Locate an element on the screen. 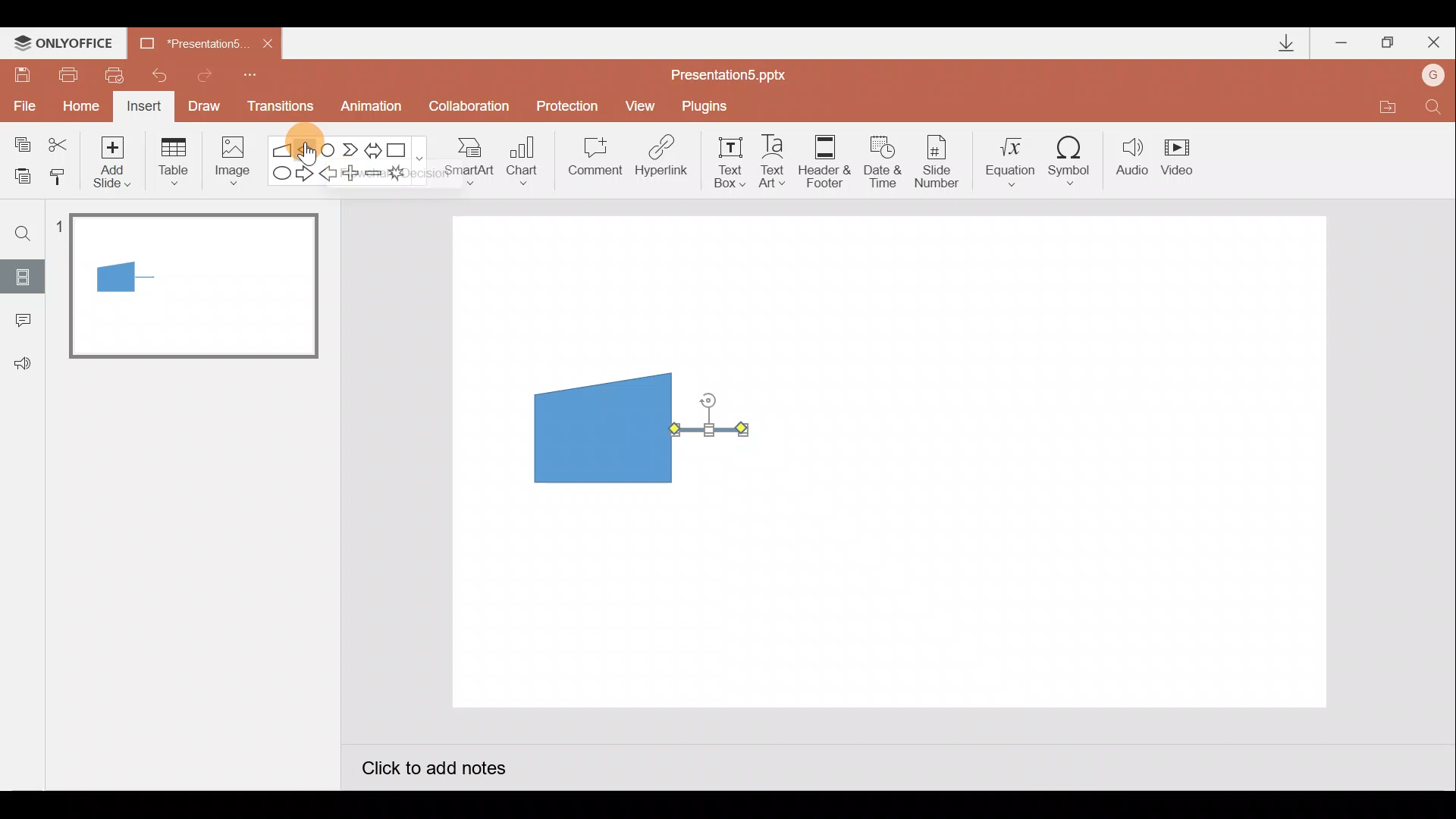 This screenshot has width=1456, height=819. Protection is located at coordinates (572, 105).